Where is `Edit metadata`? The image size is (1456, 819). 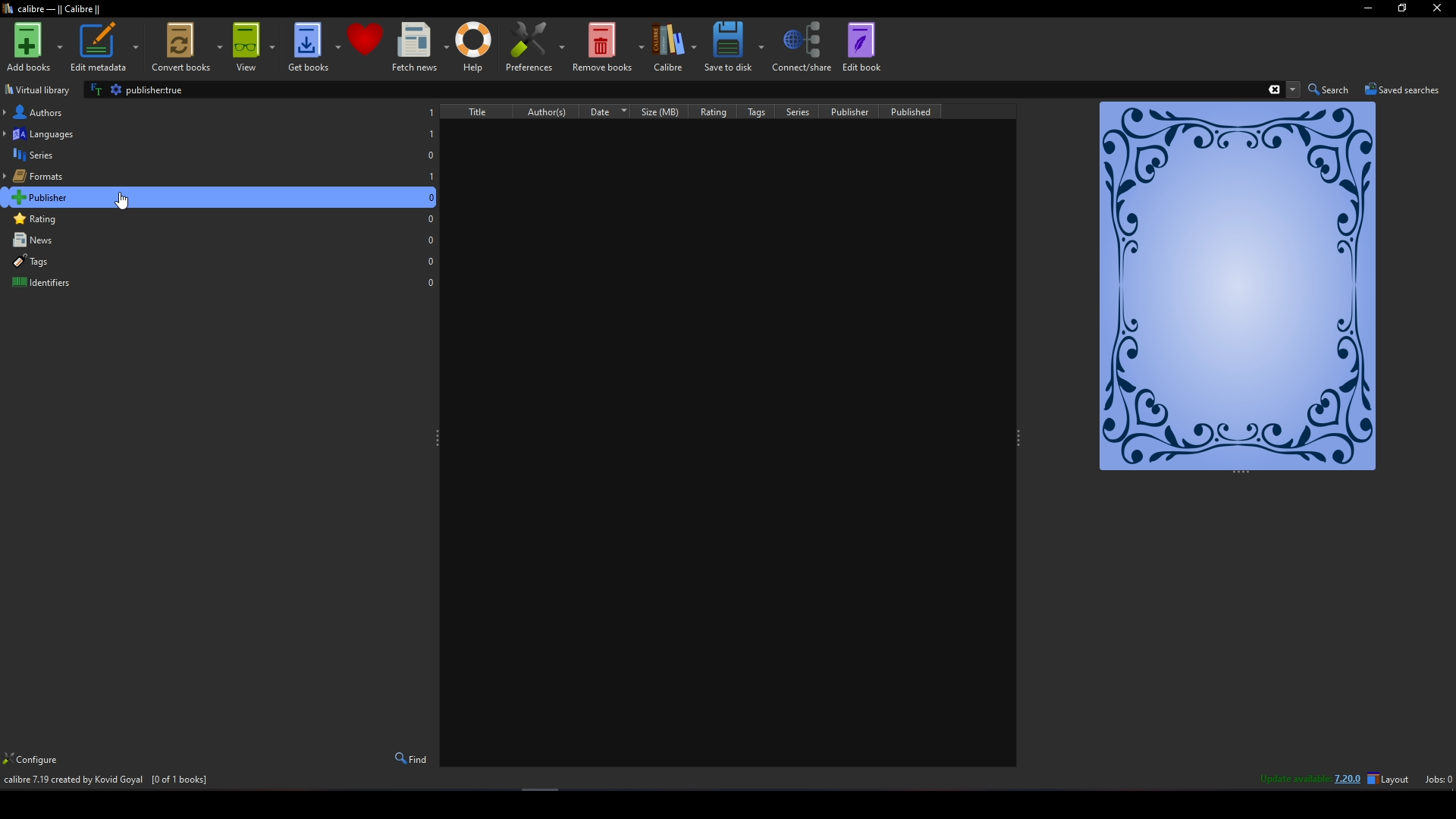 Edit metadata is located at coordinates (105, 47).